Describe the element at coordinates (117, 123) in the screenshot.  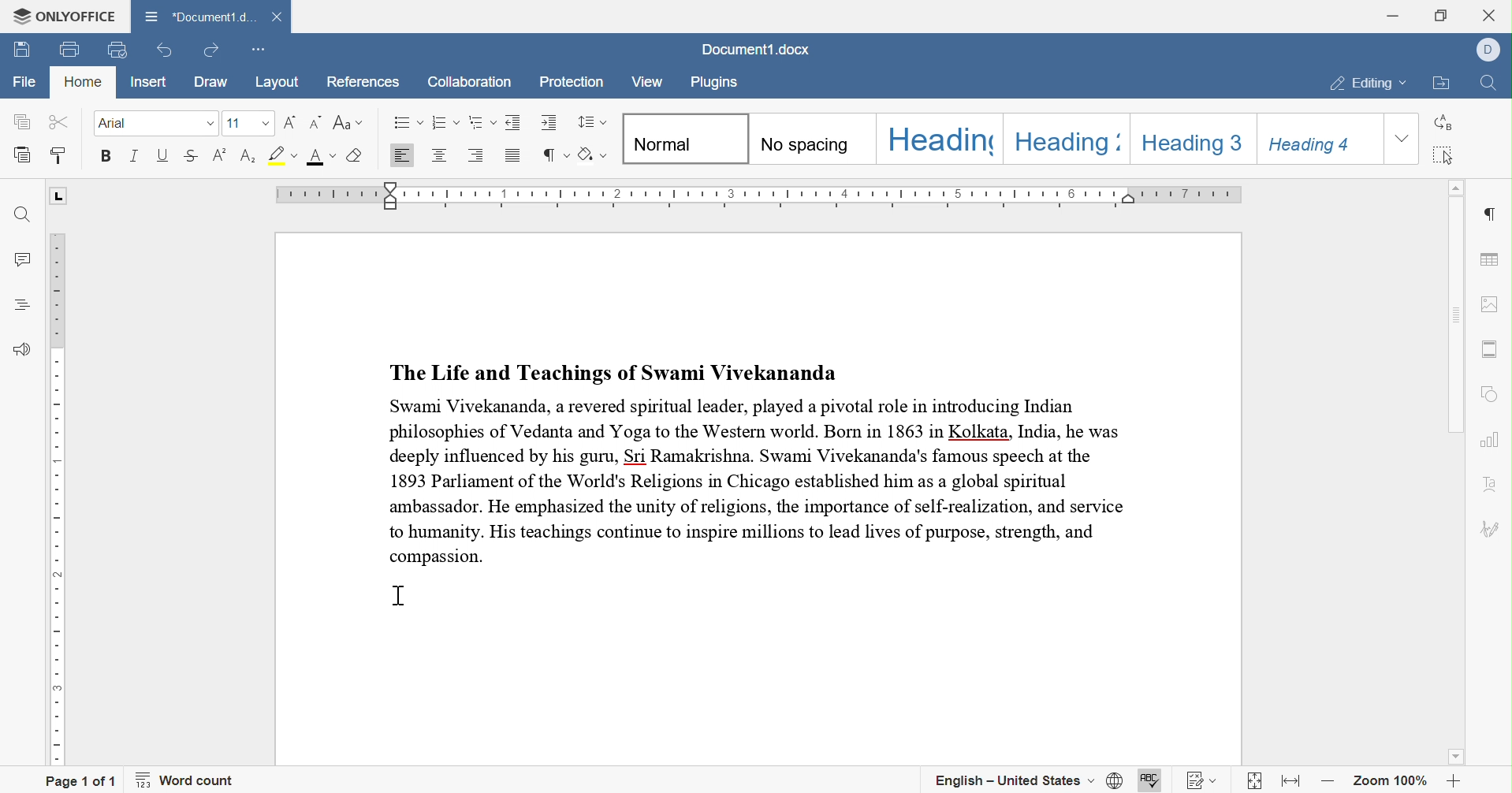
I see `font` at that location.